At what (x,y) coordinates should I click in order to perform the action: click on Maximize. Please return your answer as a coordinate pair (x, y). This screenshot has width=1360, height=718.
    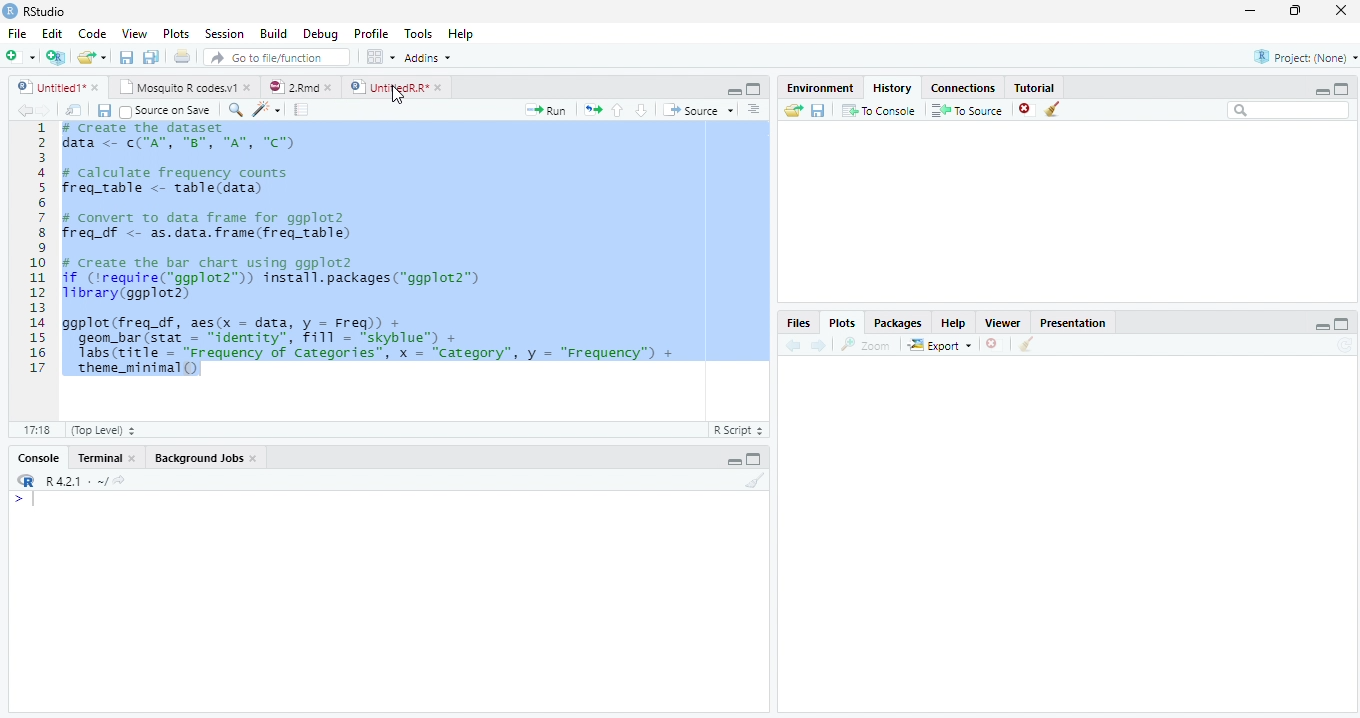
    Looking at the image, I should click on (1343, 88).